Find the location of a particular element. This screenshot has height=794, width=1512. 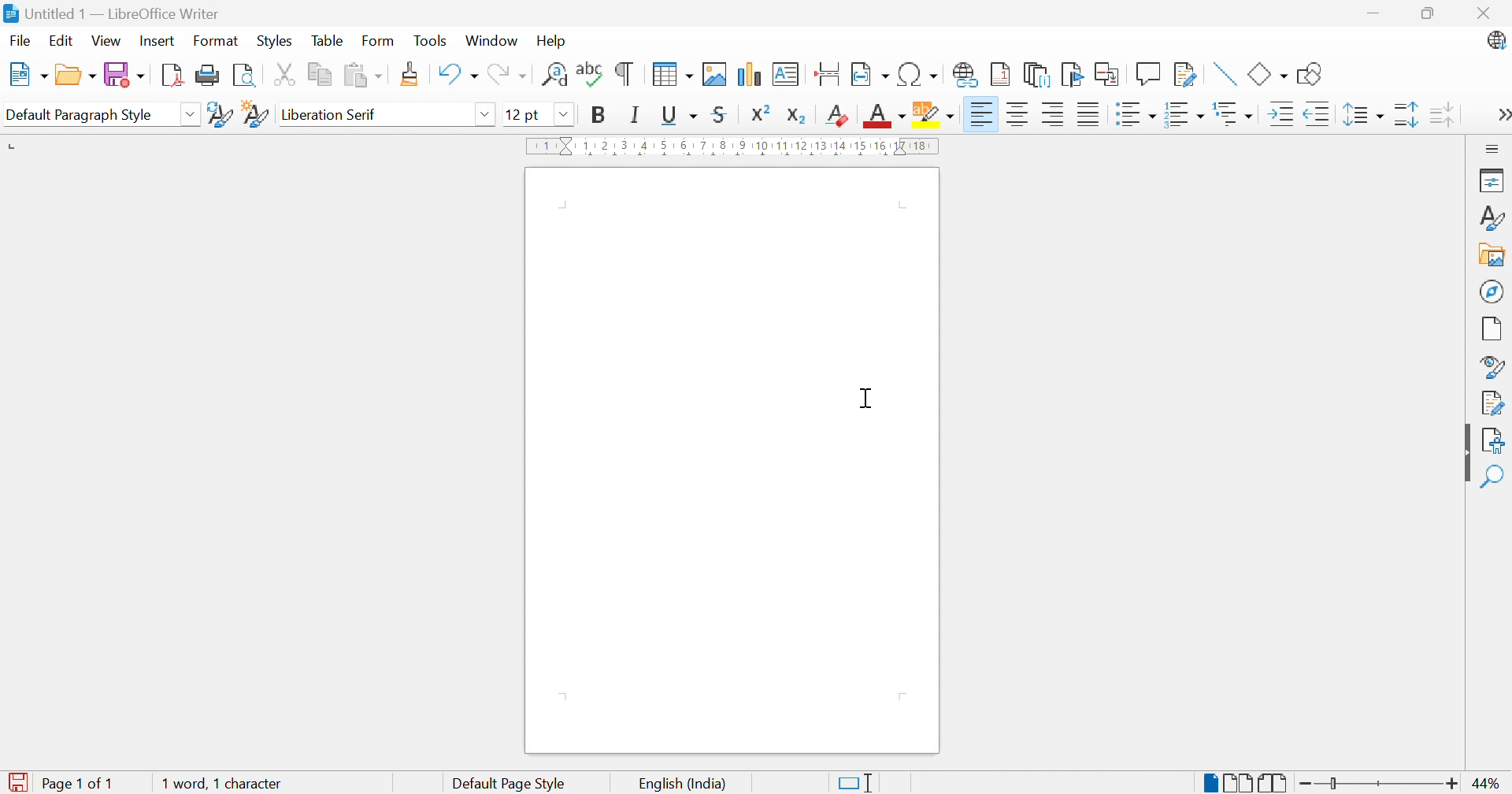

Show draw functions is located at coordinates (1311, 74).